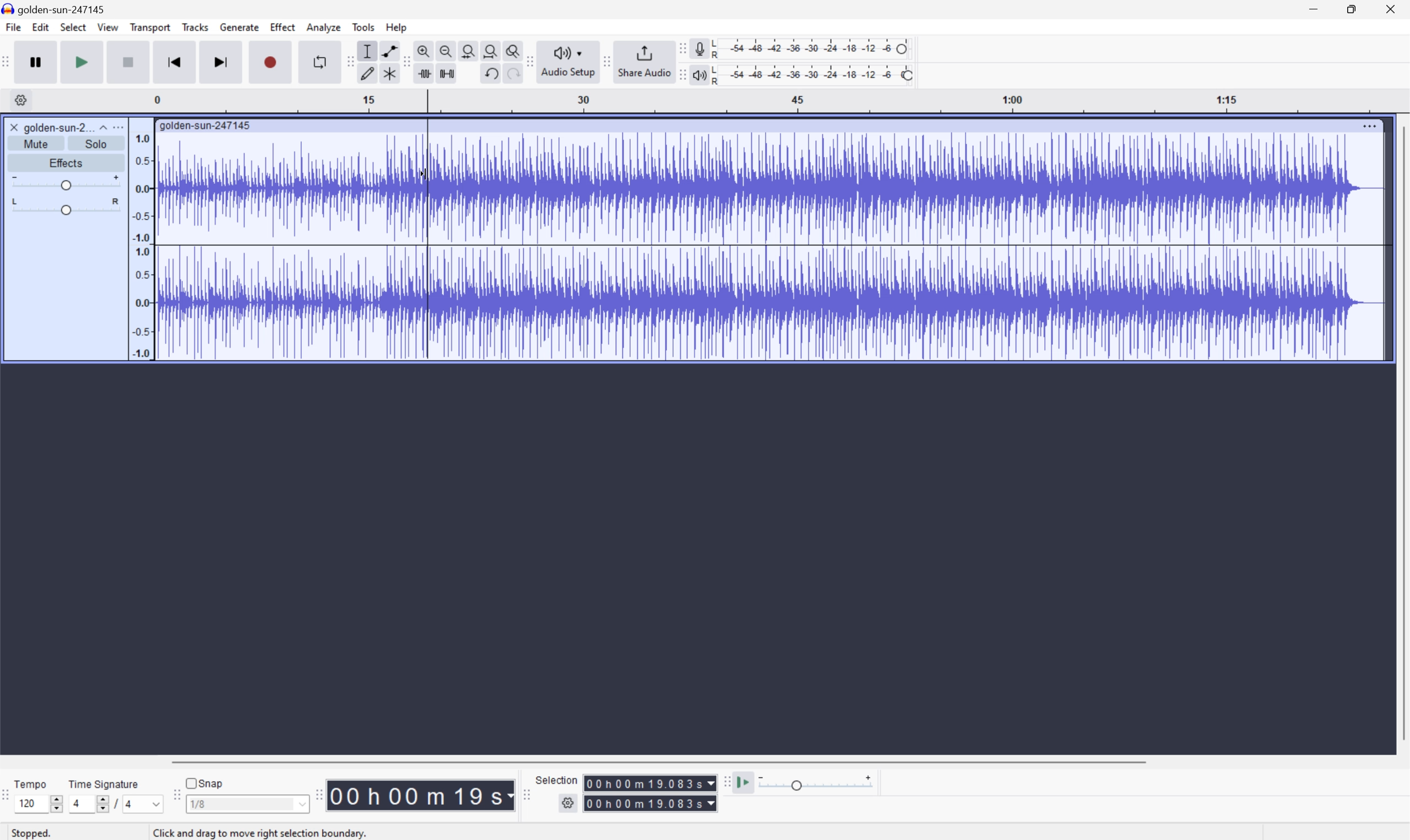 This screenshot has height=840, width=1410. Describe the element at coordinates (366, 51) in the screenshot. I see `Selection tool` at that location.